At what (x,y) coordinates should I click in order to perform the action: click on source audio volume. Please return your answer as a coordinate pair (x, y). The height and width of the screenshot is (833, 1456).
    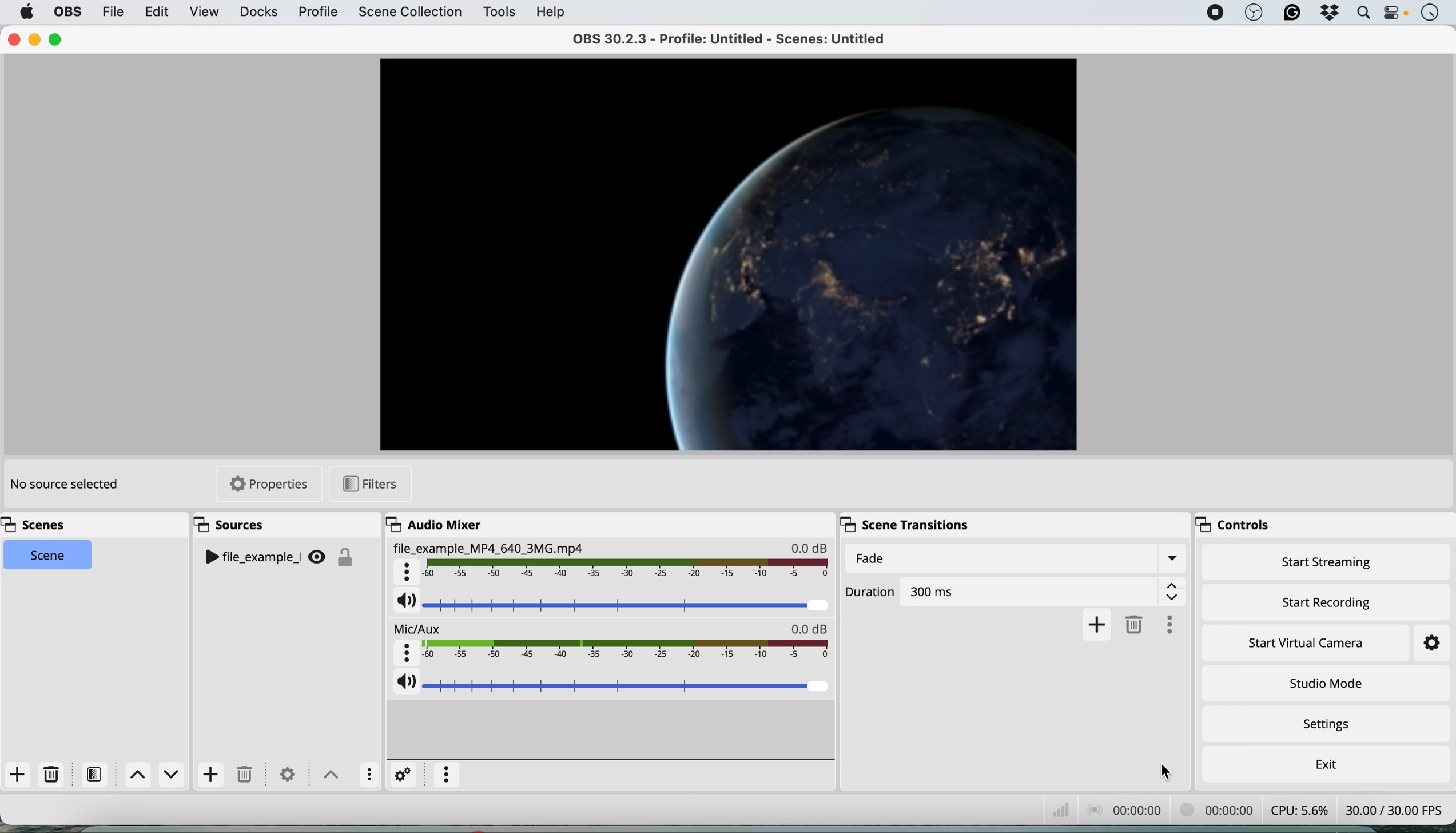
    Looking at the image, I should click on (612, 605).